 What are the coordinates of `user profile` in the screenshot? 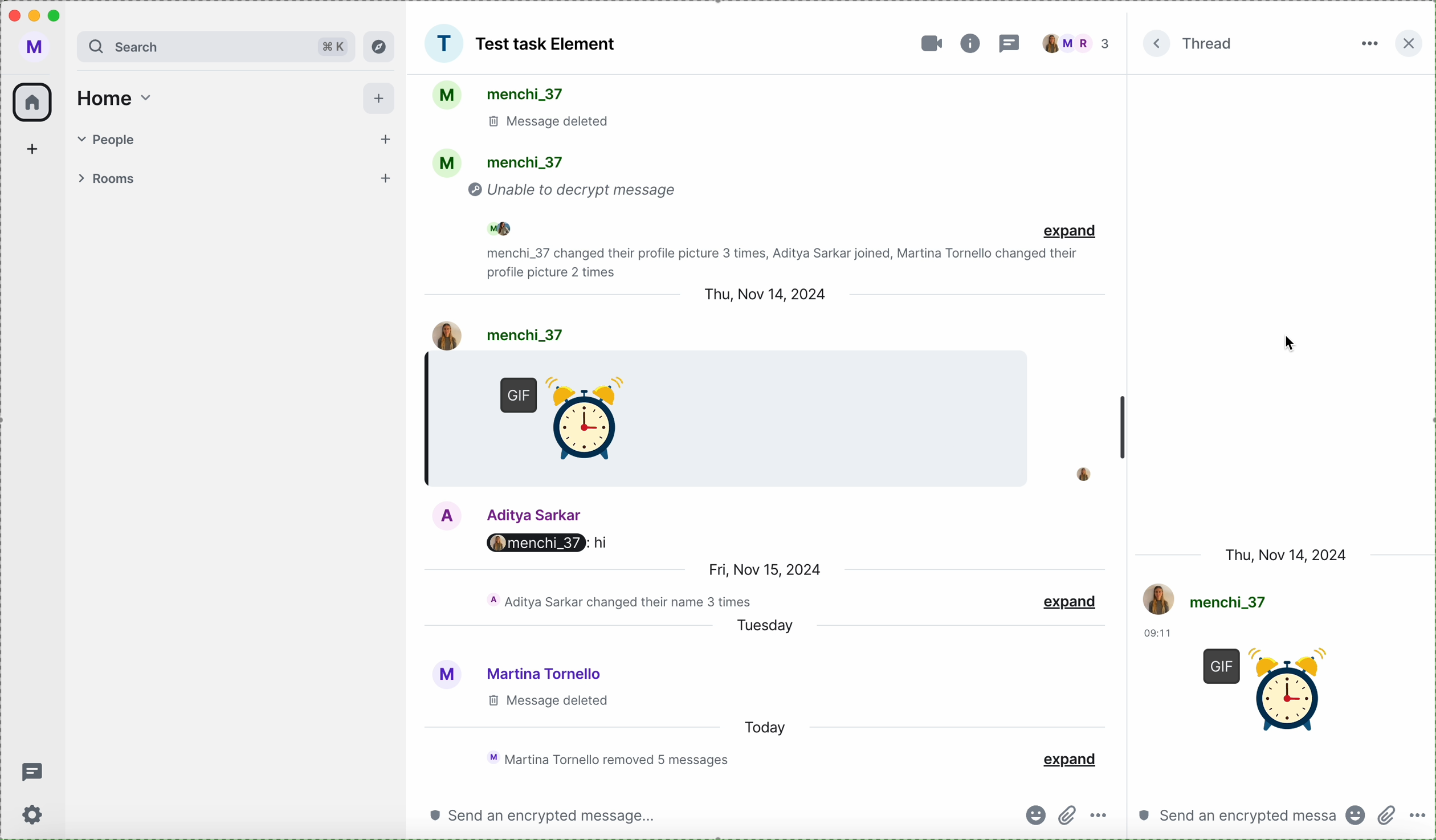 It's located at (38, 48).